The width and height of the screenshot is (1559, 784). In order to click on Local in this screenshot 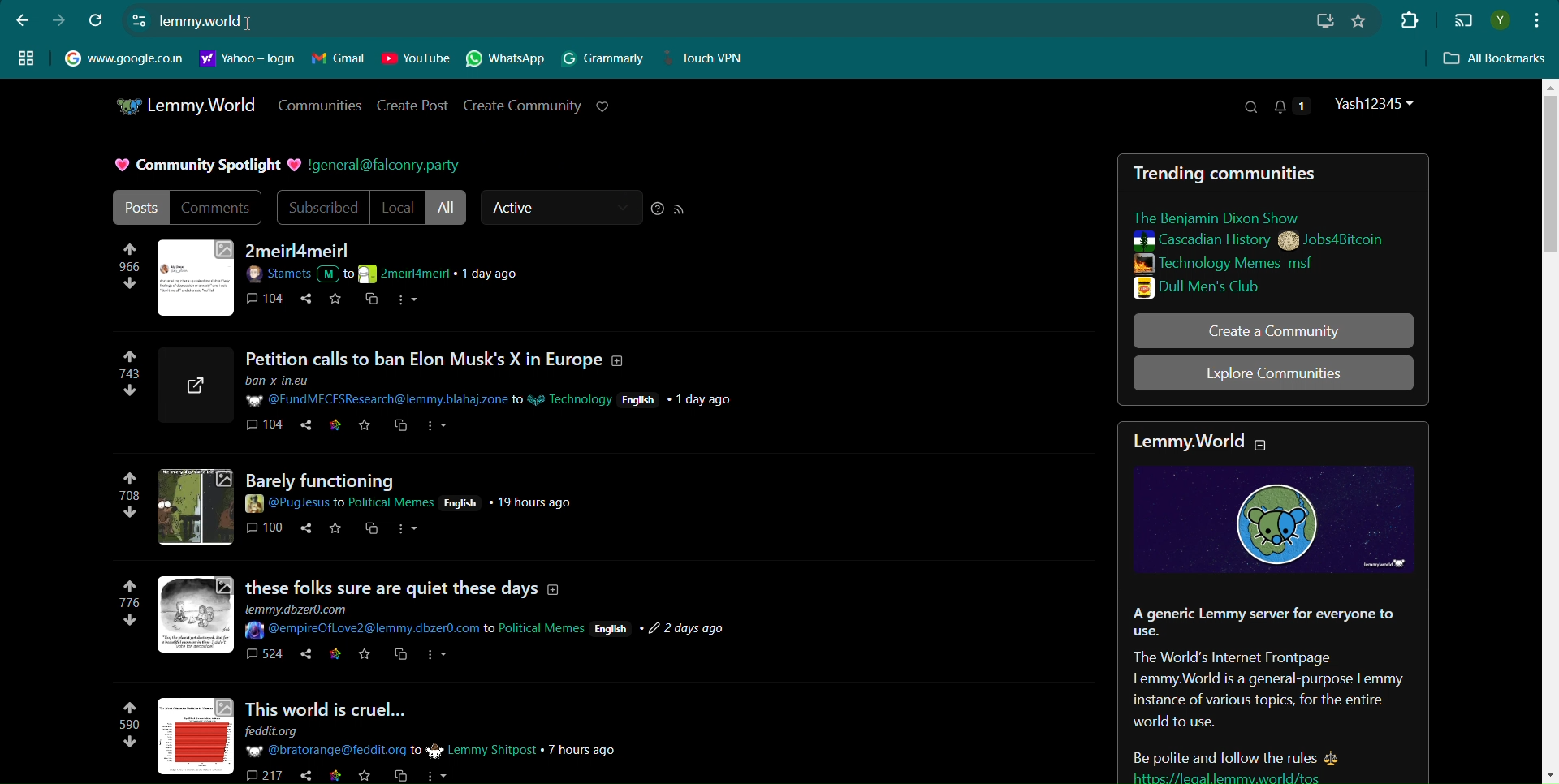, I will do `click(397, 208)`.